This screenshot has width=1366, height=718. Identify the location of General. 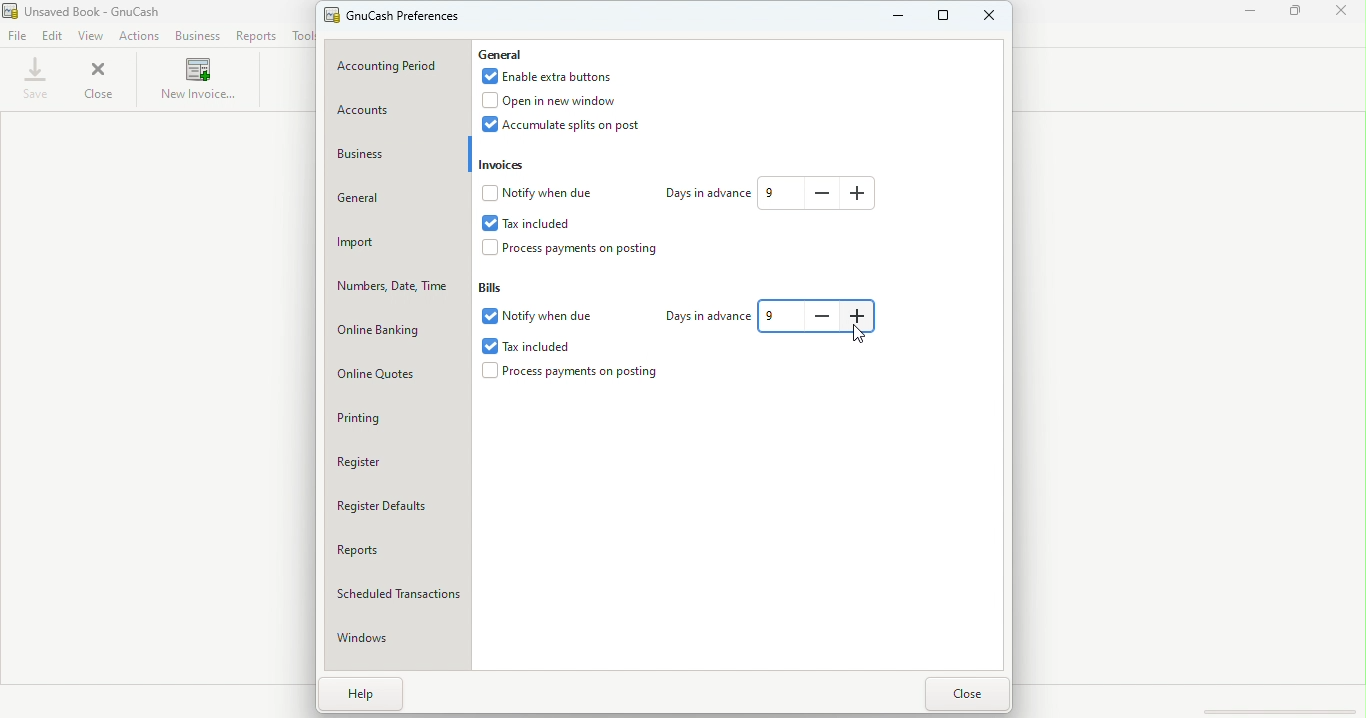
(501, 53).